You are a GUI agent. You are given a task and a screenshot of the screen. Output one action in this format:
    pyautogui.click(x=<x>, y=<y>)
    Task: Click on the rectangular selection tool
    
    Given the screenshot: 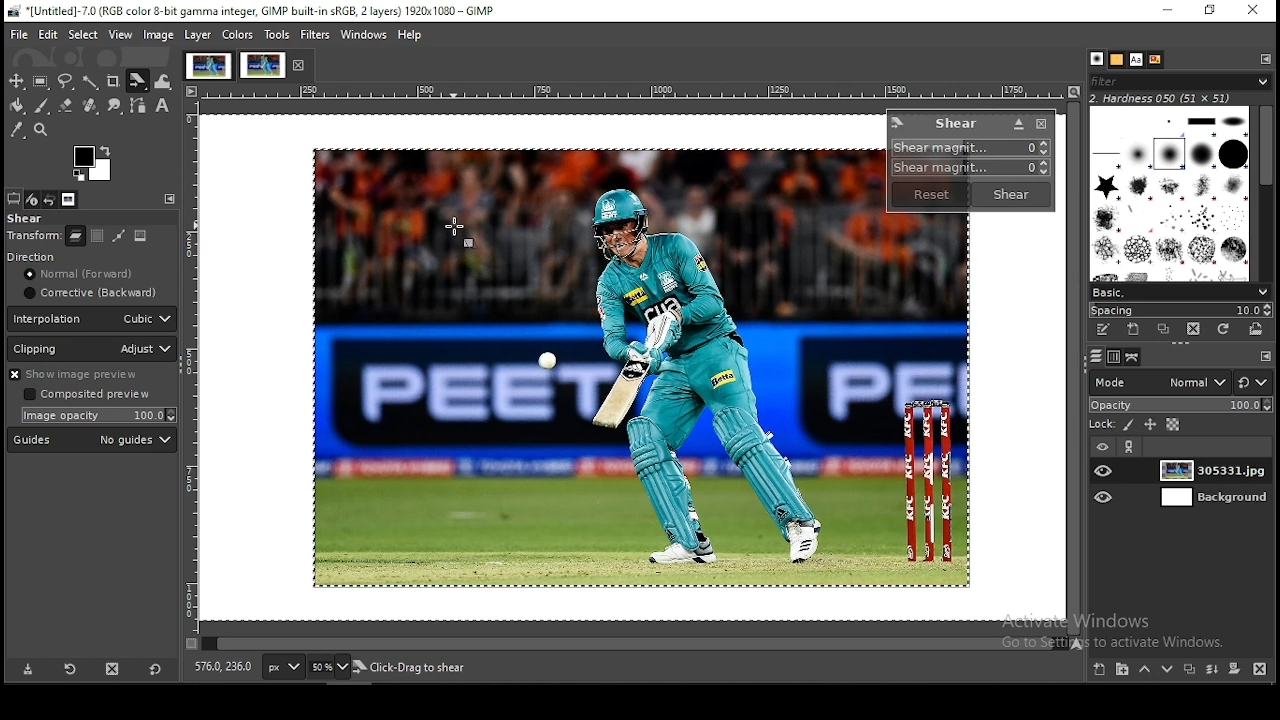 What is the action you would take?
    pyautogui.click(x=41, y=82)
    